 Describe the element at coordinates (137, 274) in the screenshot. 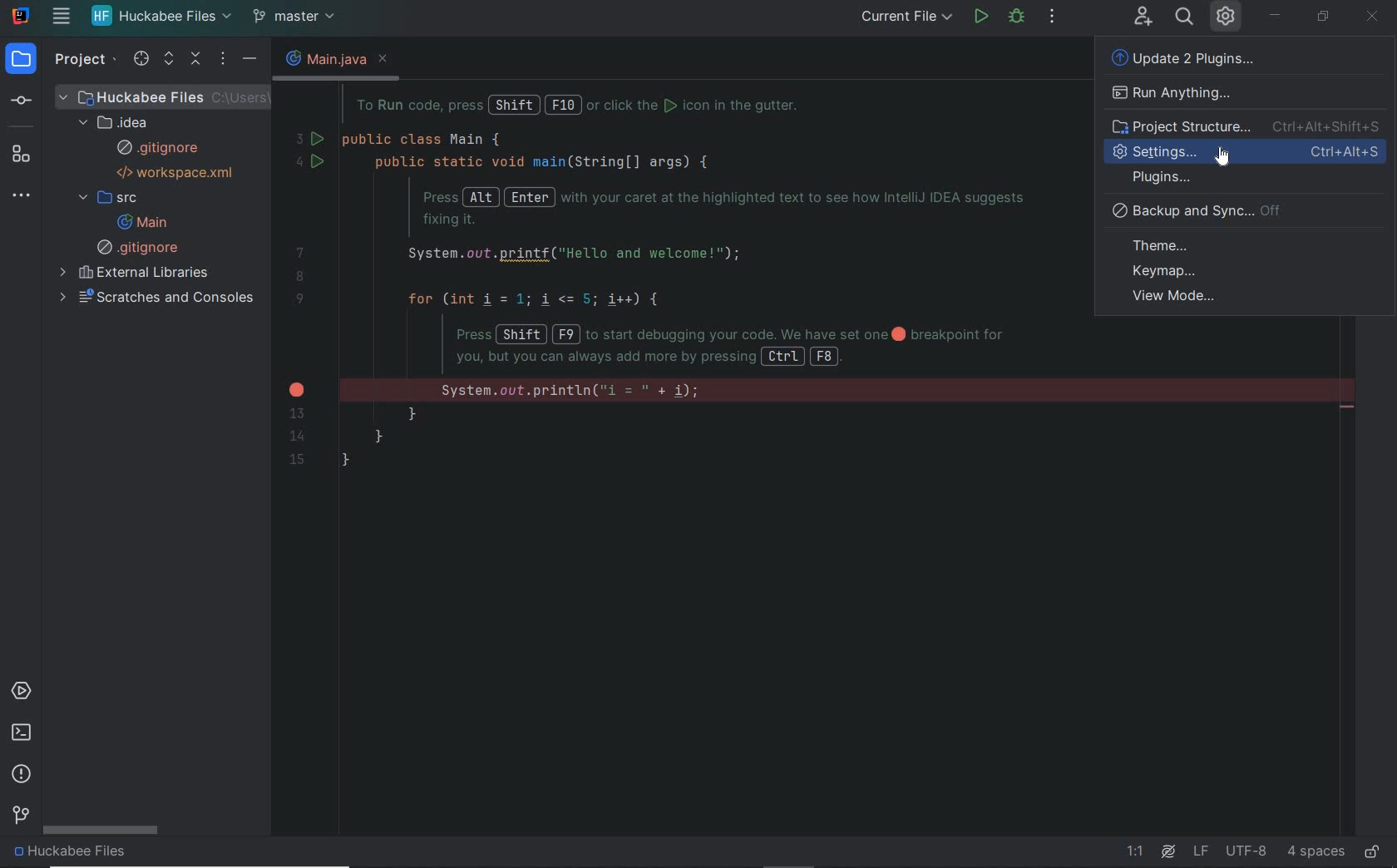

I see `external libraries` at that location.